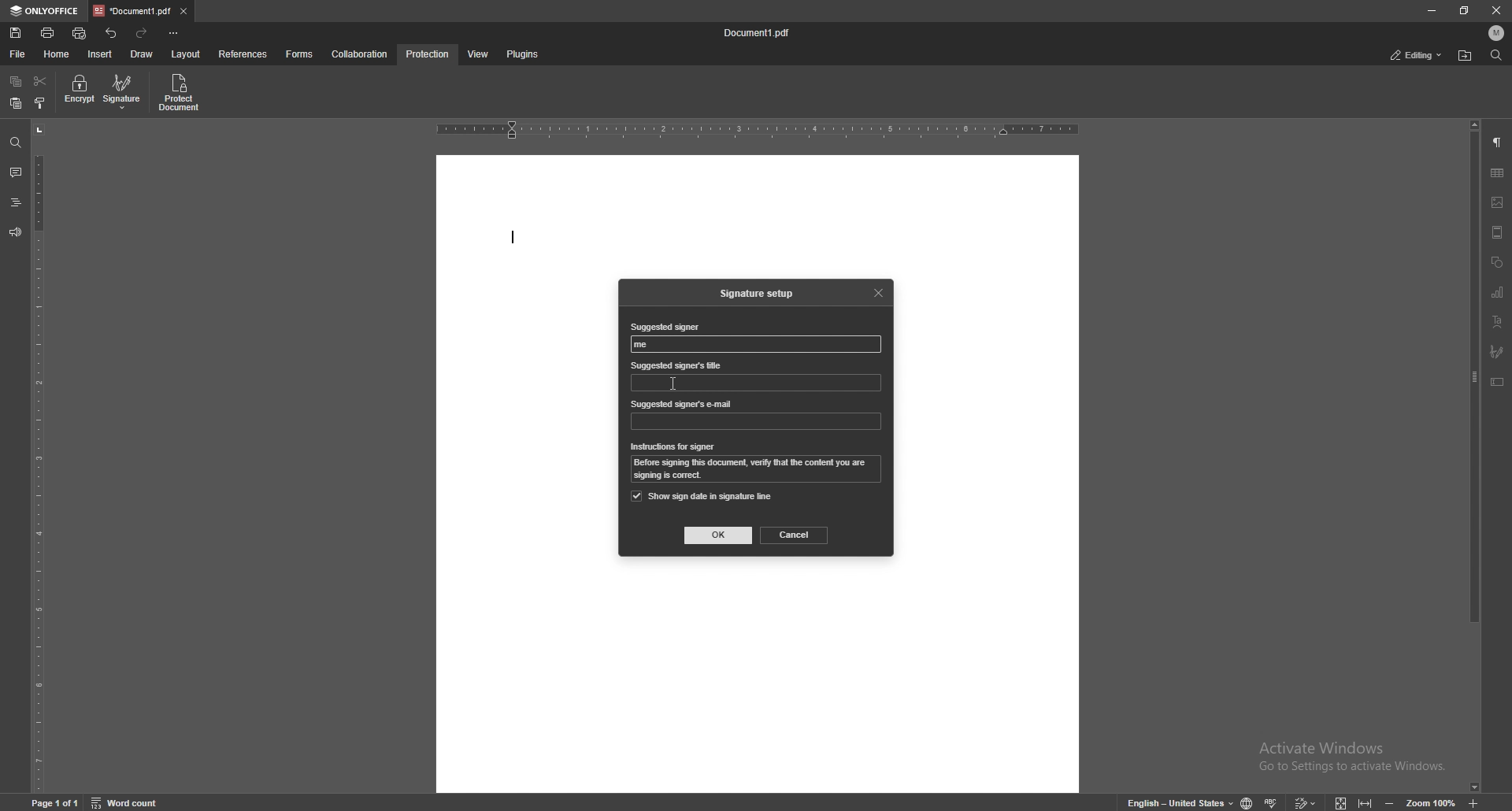  I want to click on suggested signer's title, so click(677, 365).